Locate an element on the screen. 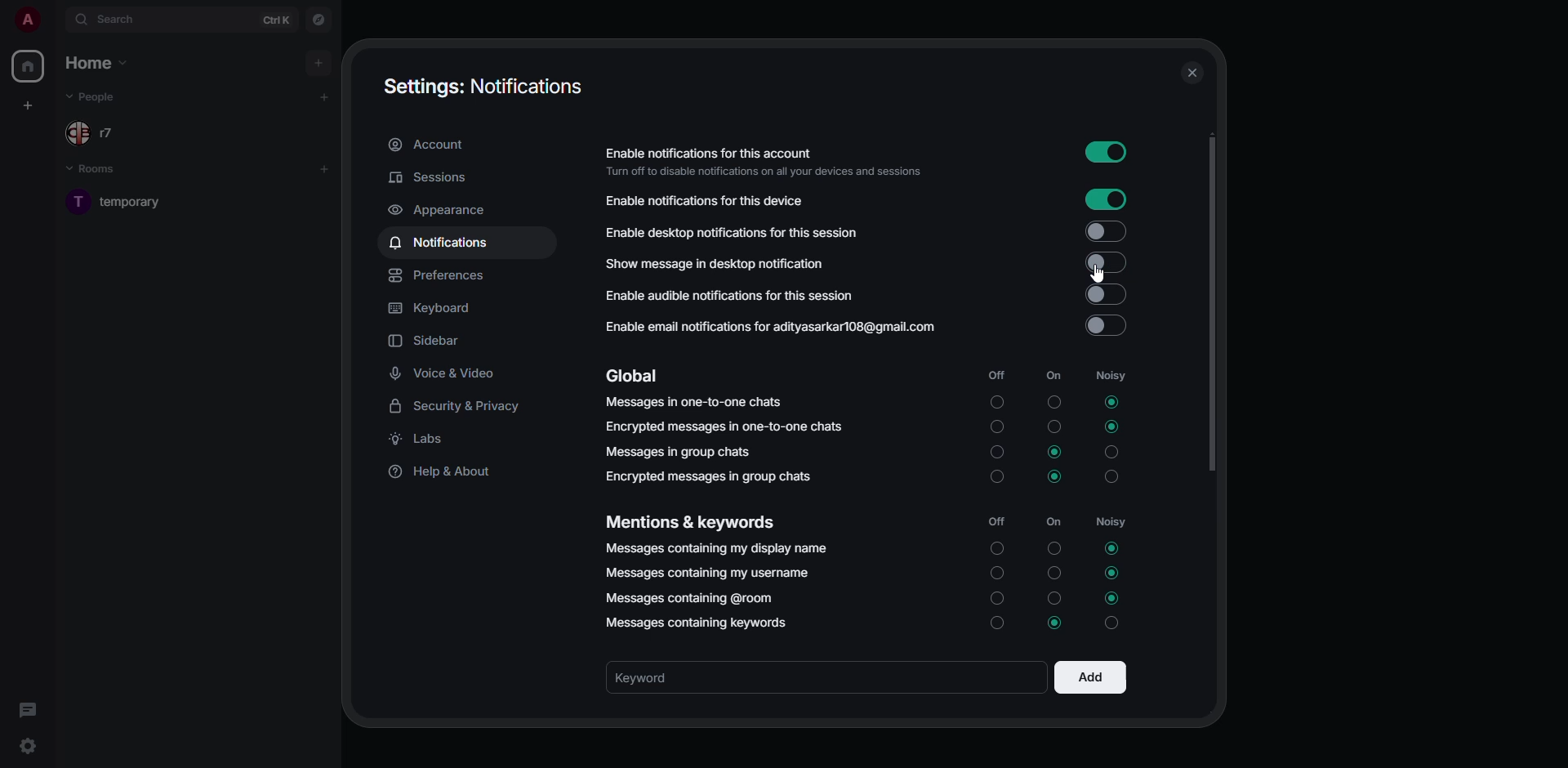  on is located at coordinates (1054, 522).